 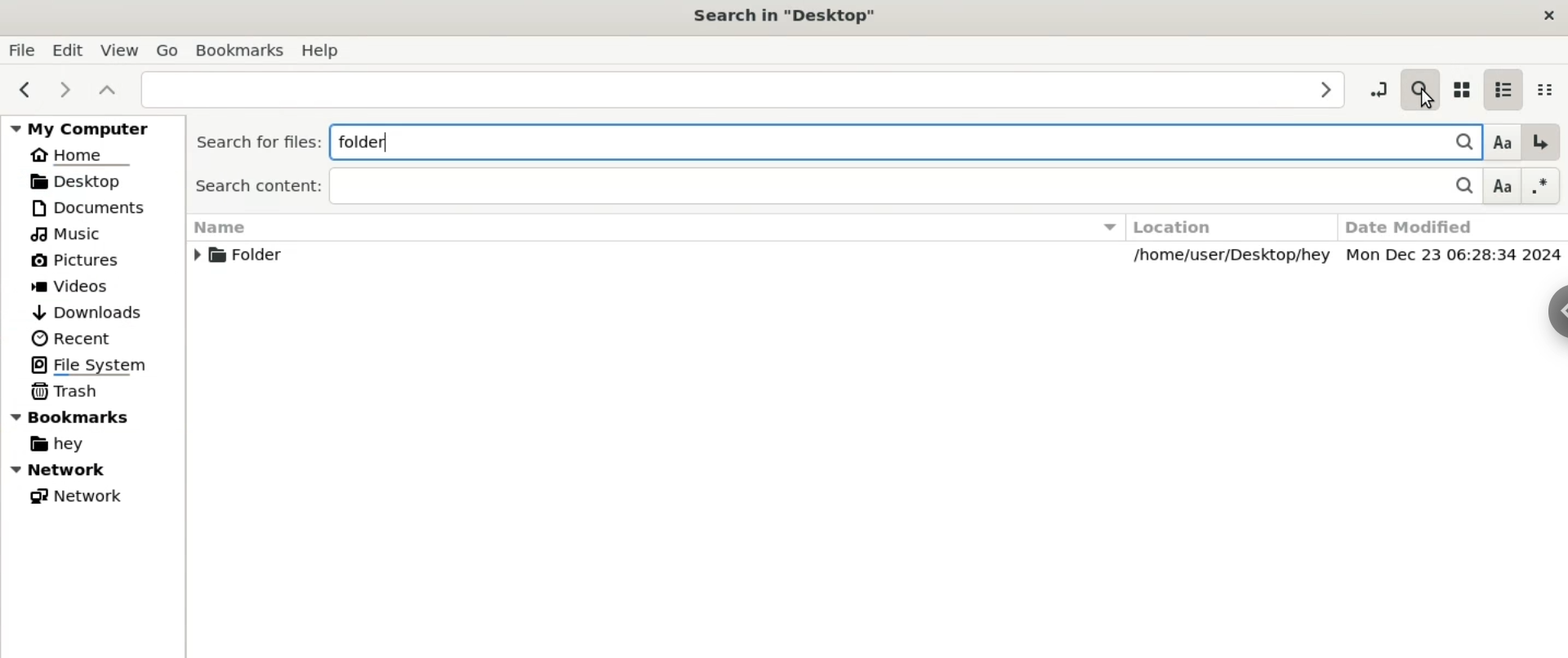 I want to click on Enter, so click(x=1541, y=142).